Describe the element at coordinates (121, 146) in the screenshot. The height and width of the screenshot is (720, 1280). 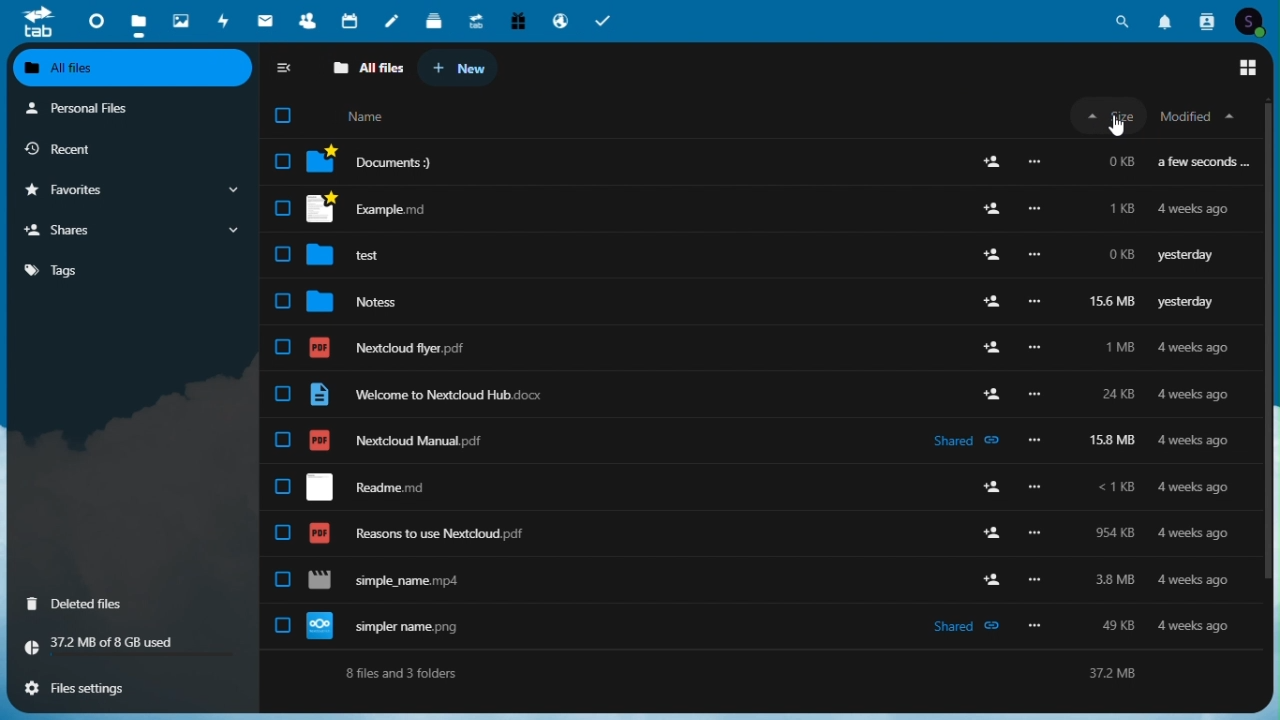
I see `recent` at that location.